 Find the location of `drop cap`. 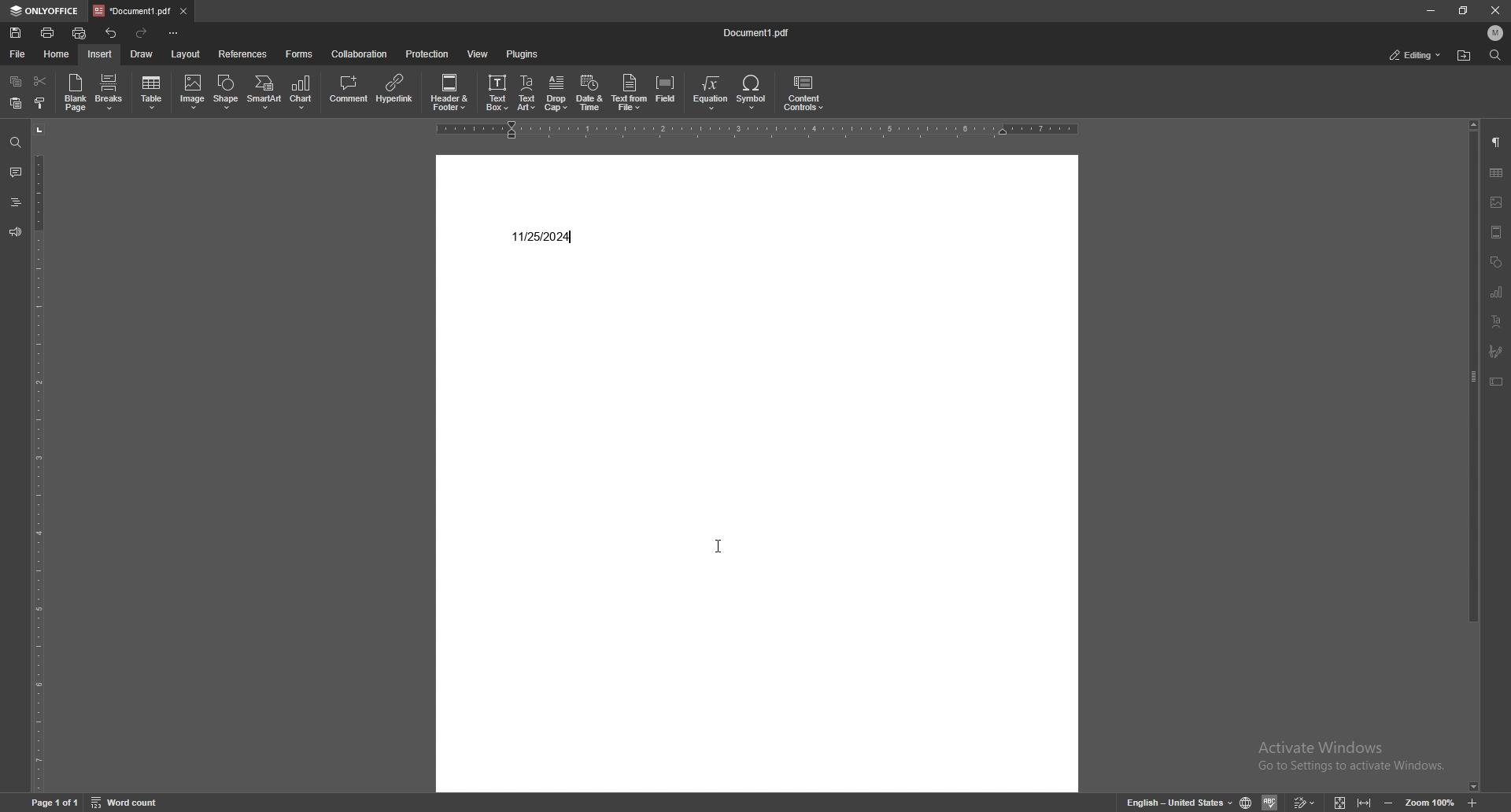

drop cap is located at coordinates (557, 93).